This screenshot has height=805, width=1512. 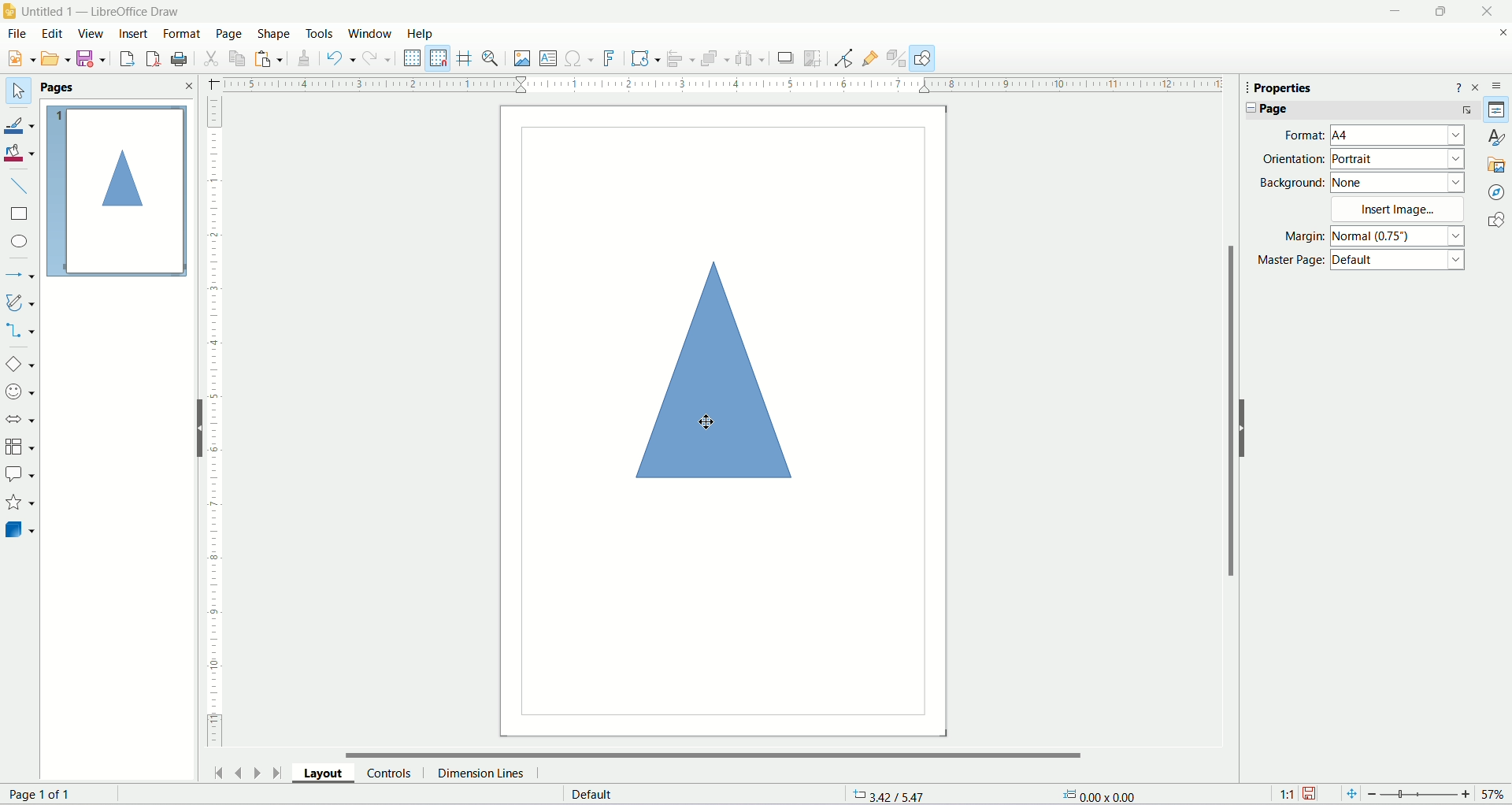 I want to click on Shadow, so click(x=786, y=59).